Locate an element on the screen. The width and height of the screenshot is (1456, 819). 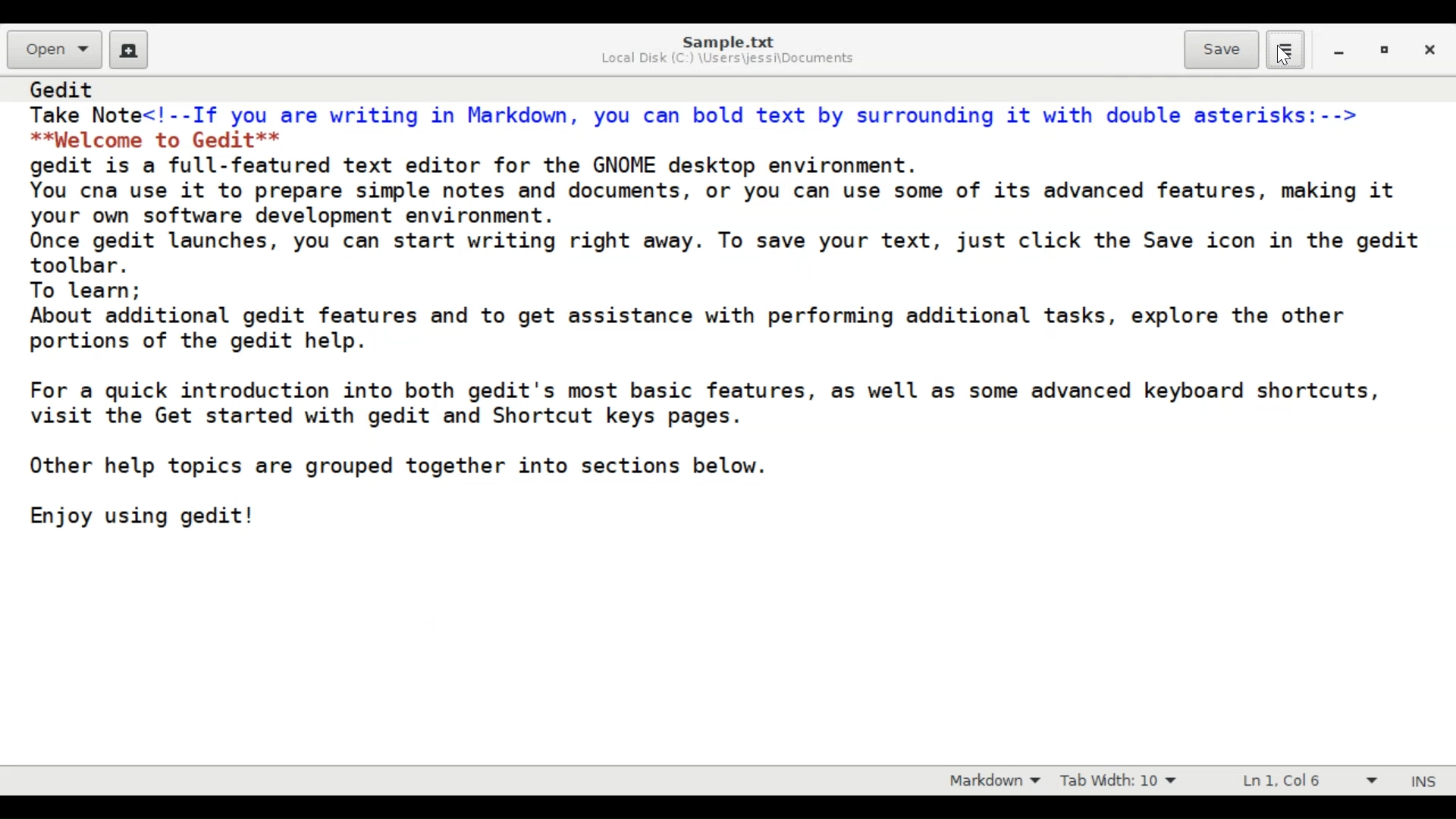
minimize is located at coordinates (1341, 54).